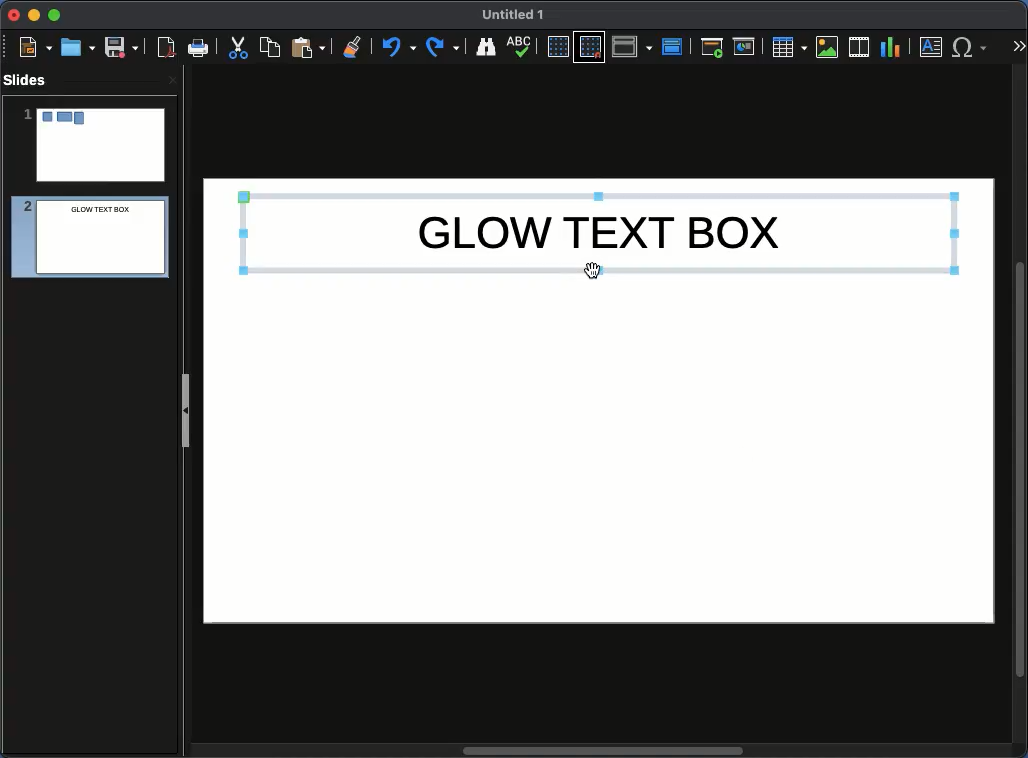  Describe the element at coordinates (747, 47) in the screenshot. I see `Current slide` at that location.